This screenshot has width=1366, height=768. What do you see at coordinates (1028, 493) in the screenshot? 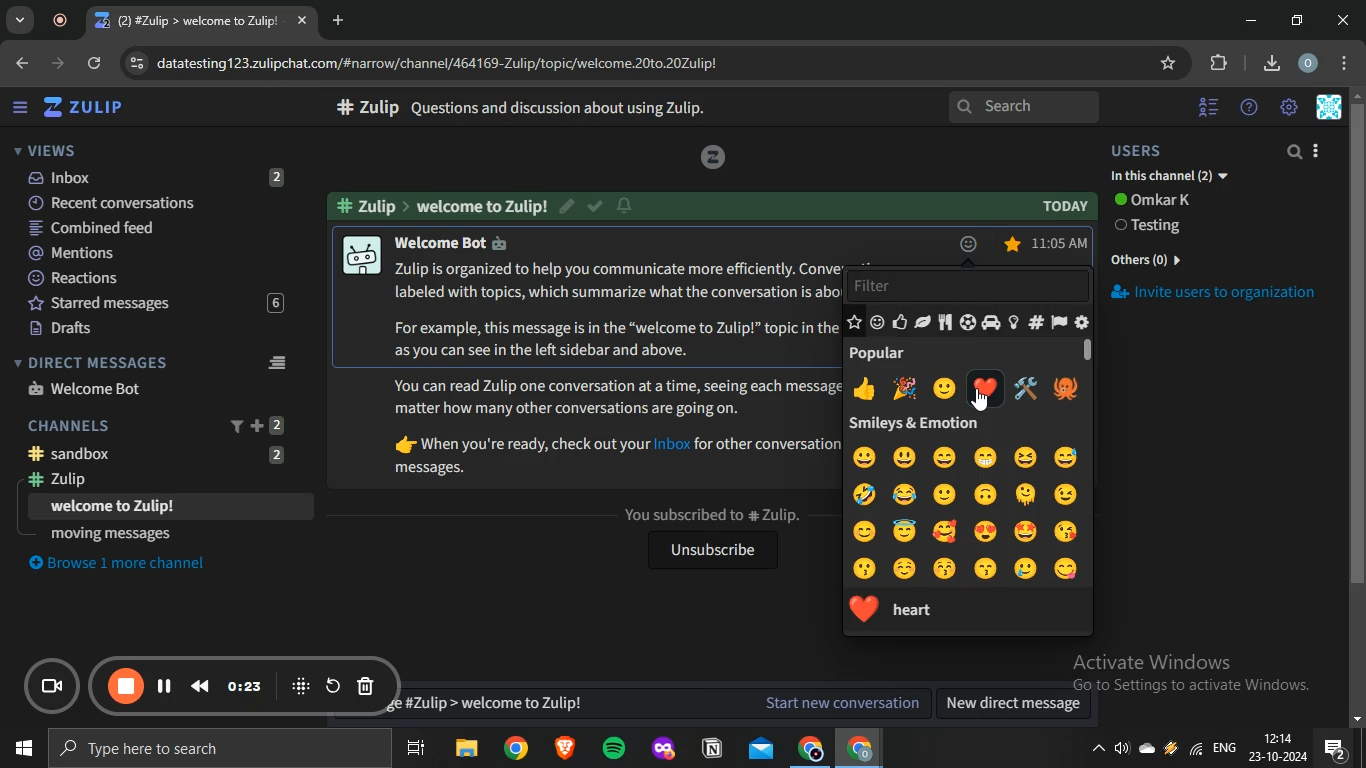
I see `melting face` at bounding box center [1028, 493].